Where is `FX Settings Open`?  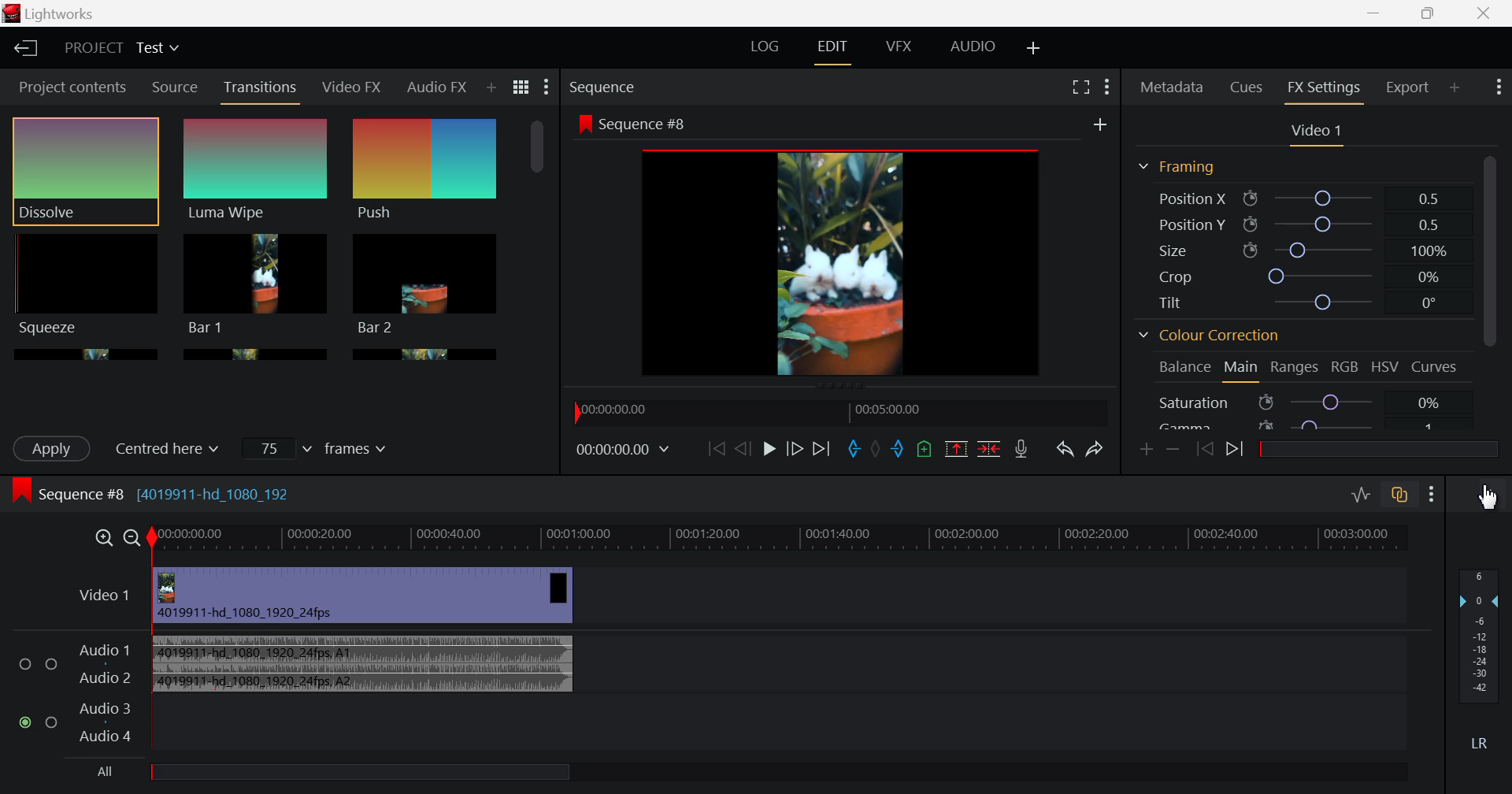 FX Settings Open is located at coordinates (1326, 90).